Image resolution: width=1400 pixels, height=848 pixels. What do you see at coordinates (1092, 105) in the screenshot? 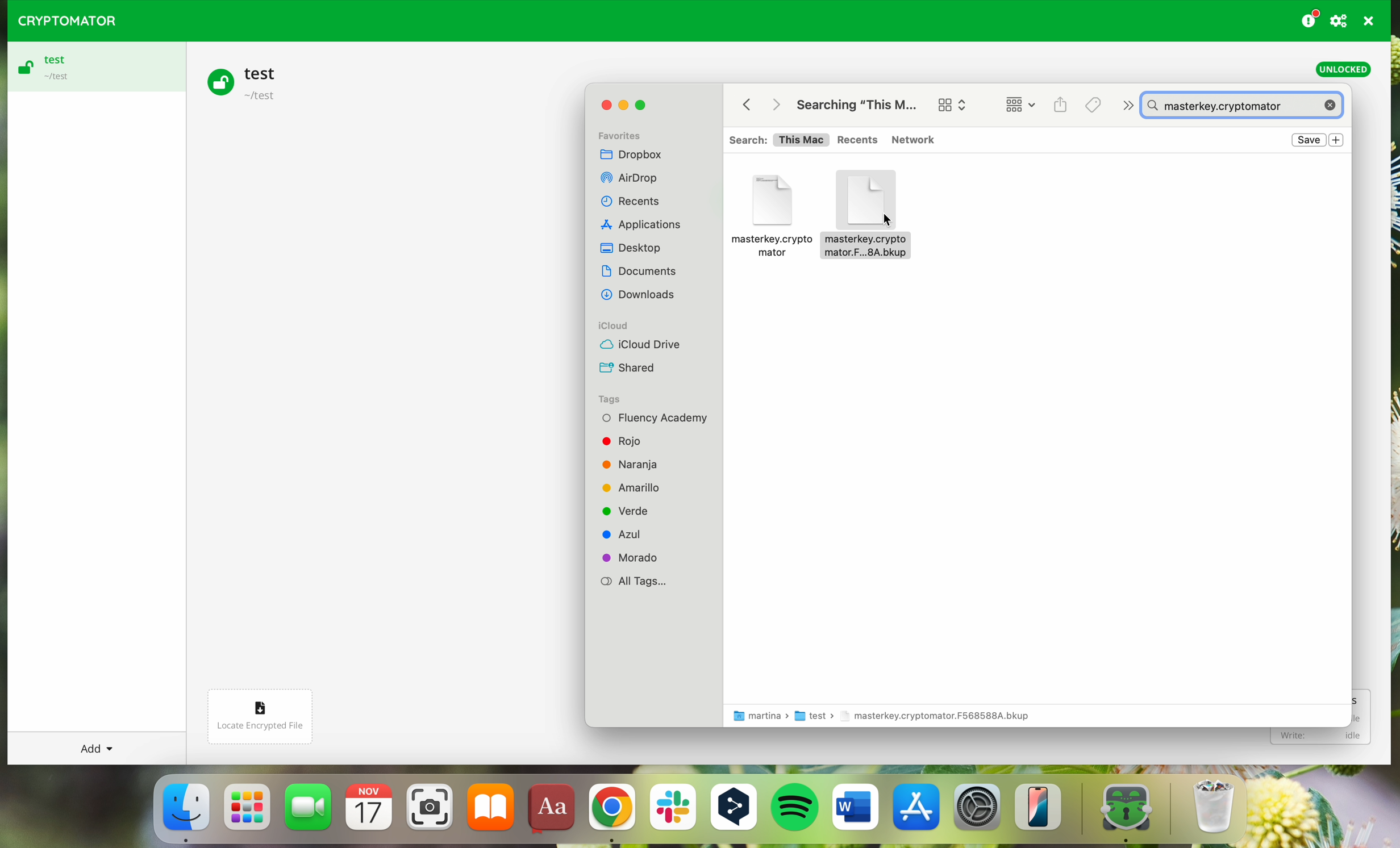
I see `Tags` at bounding box center [1092, 105].